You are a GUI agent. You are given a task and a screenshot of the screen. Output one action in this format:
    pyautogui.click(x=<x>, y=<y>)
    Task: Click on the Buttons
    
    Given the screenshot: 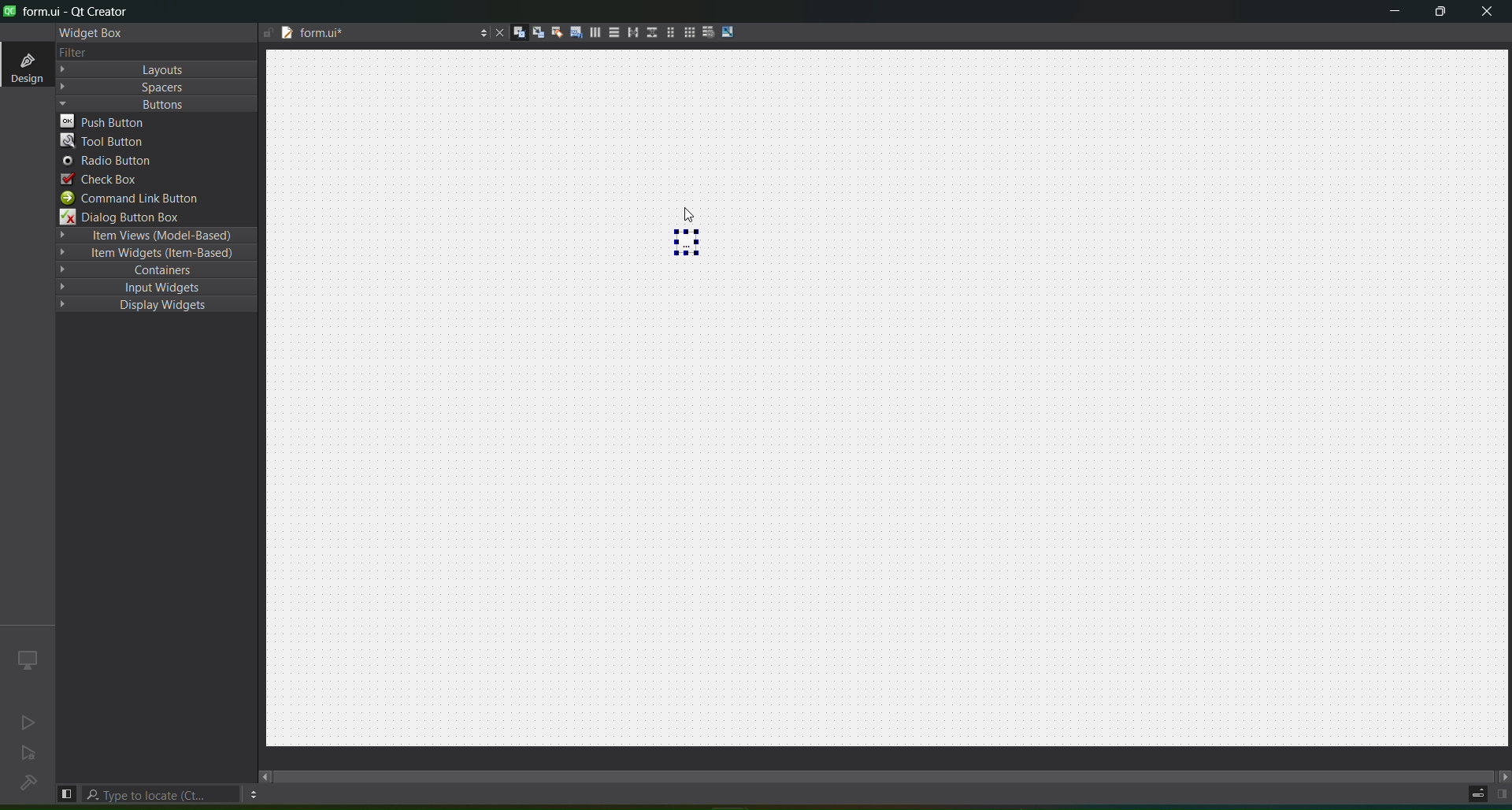 What is the action you would take?
    pyautogui.click(x=155, y=104)
    